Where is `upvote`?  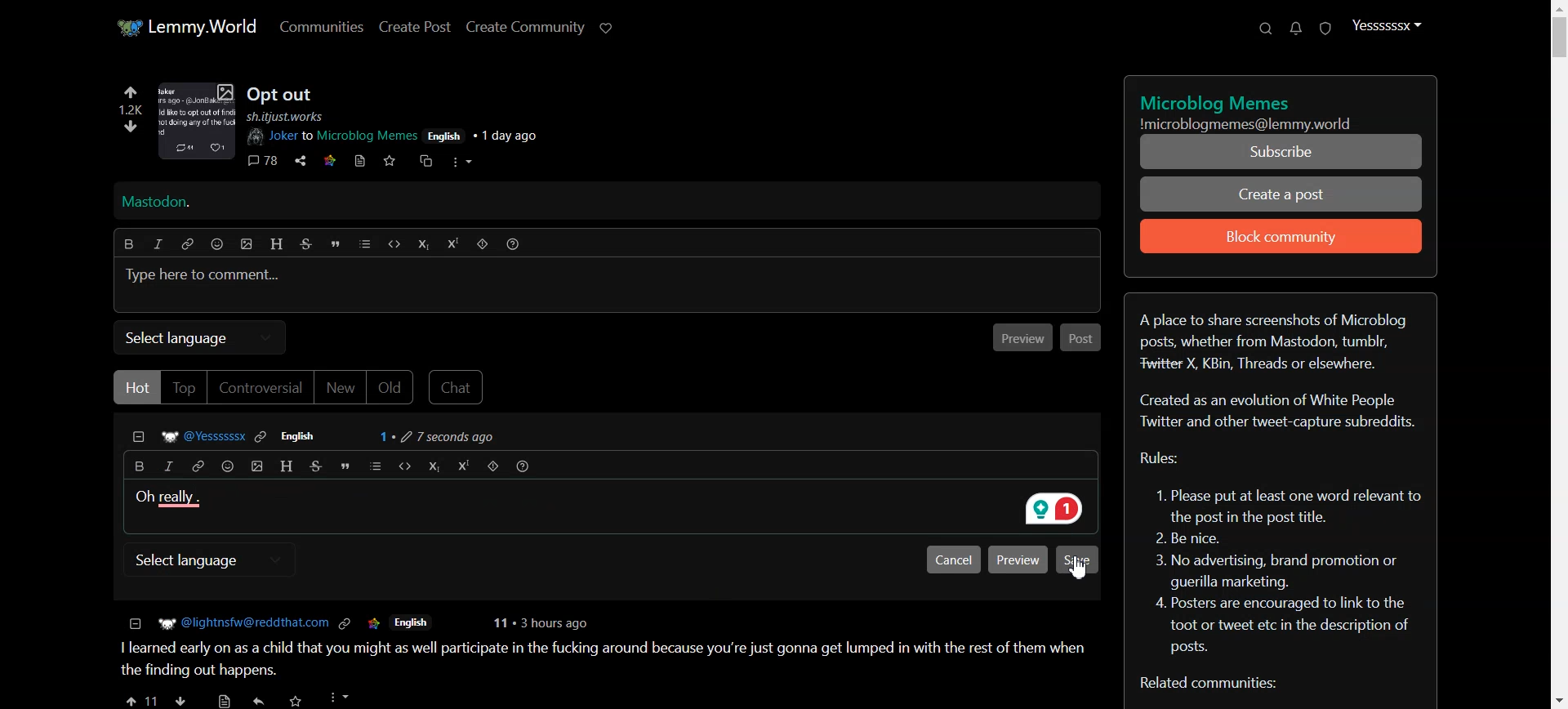 upvote is located at coordinates (140, 697).